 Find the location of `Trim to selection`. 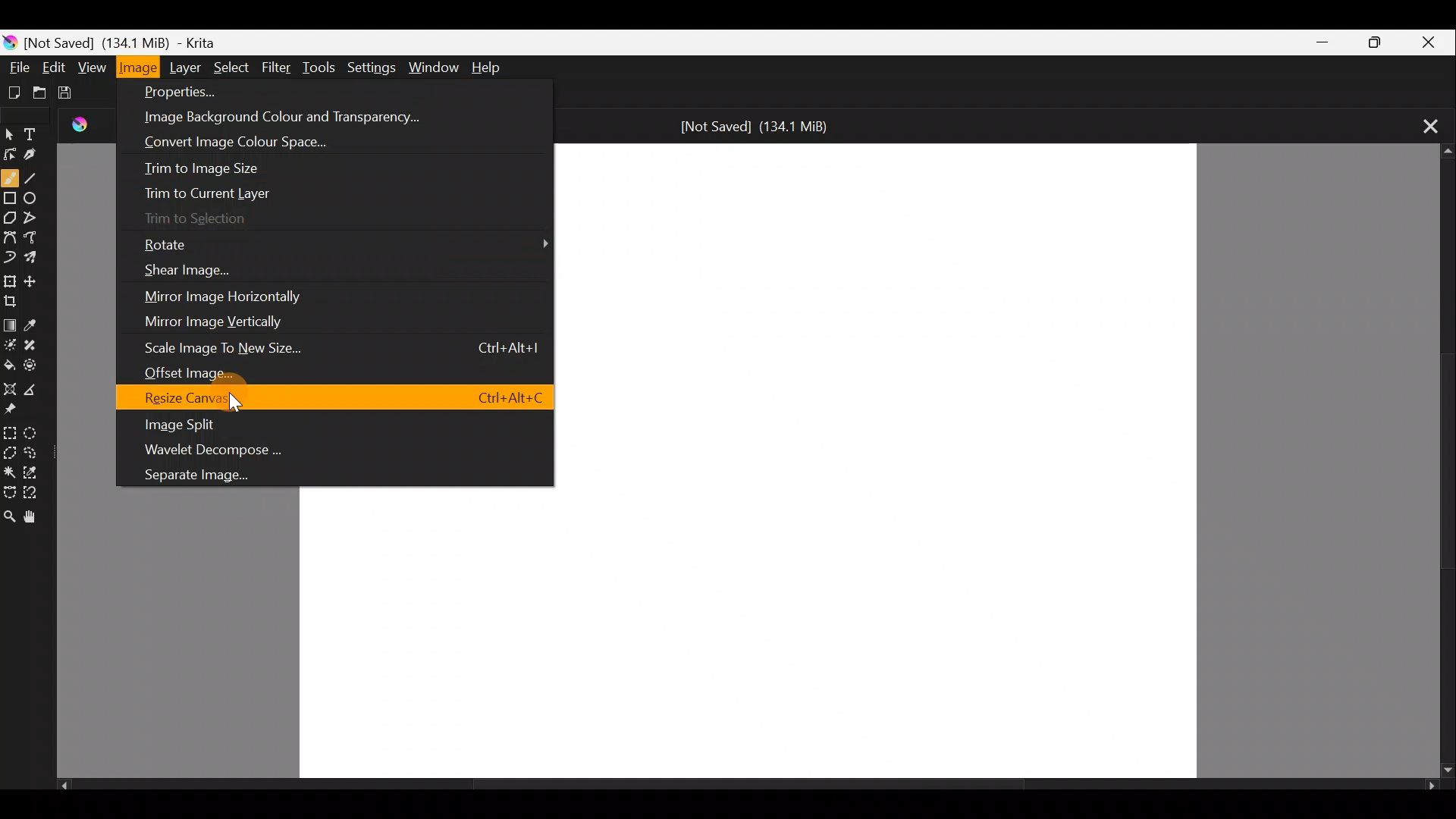

Trim to selection is located at coordinates (193, 220).